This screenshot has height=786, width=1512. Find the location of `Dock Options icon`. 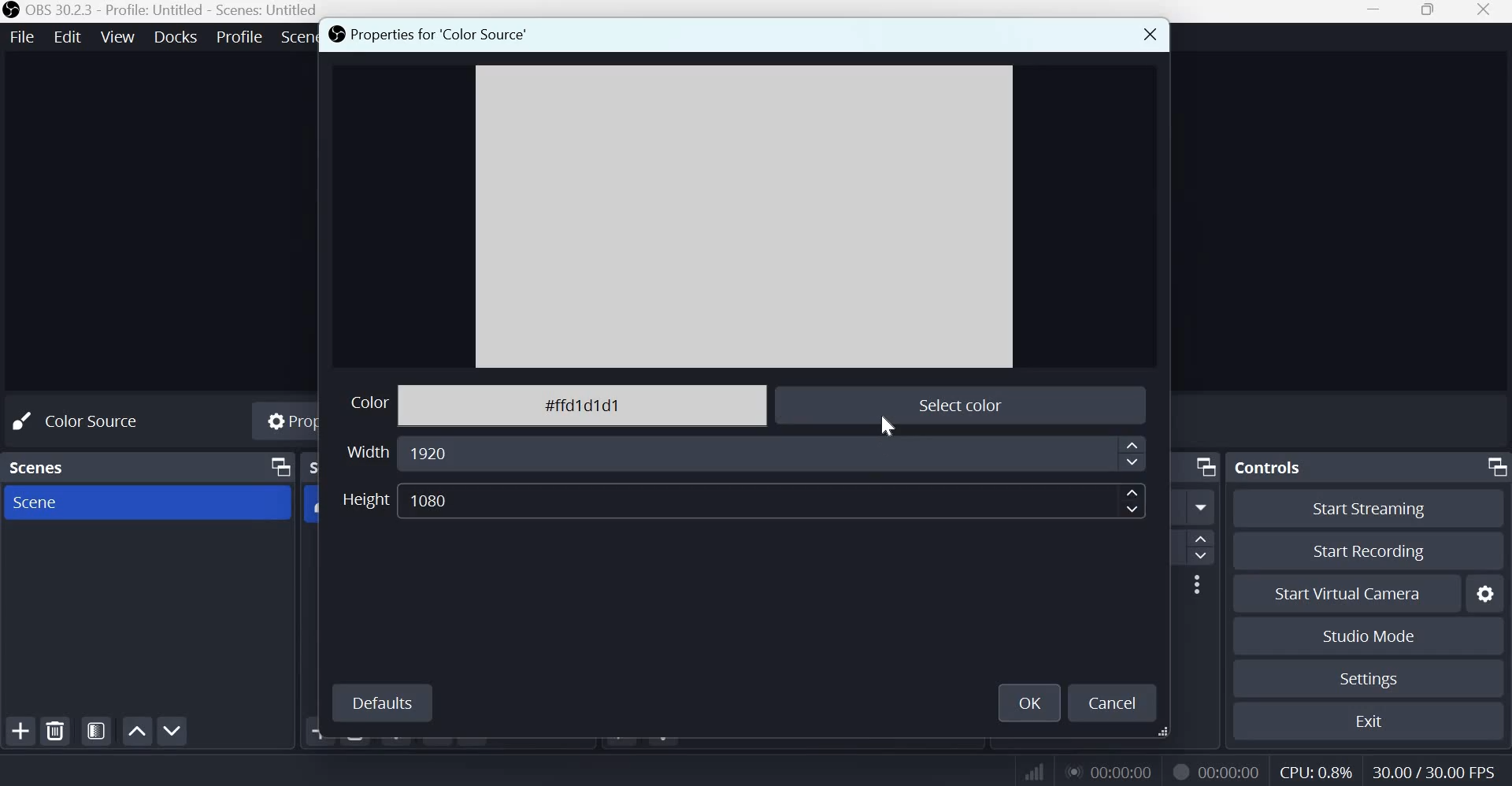

Dock Options icon is located at coordinates (1202, 466).